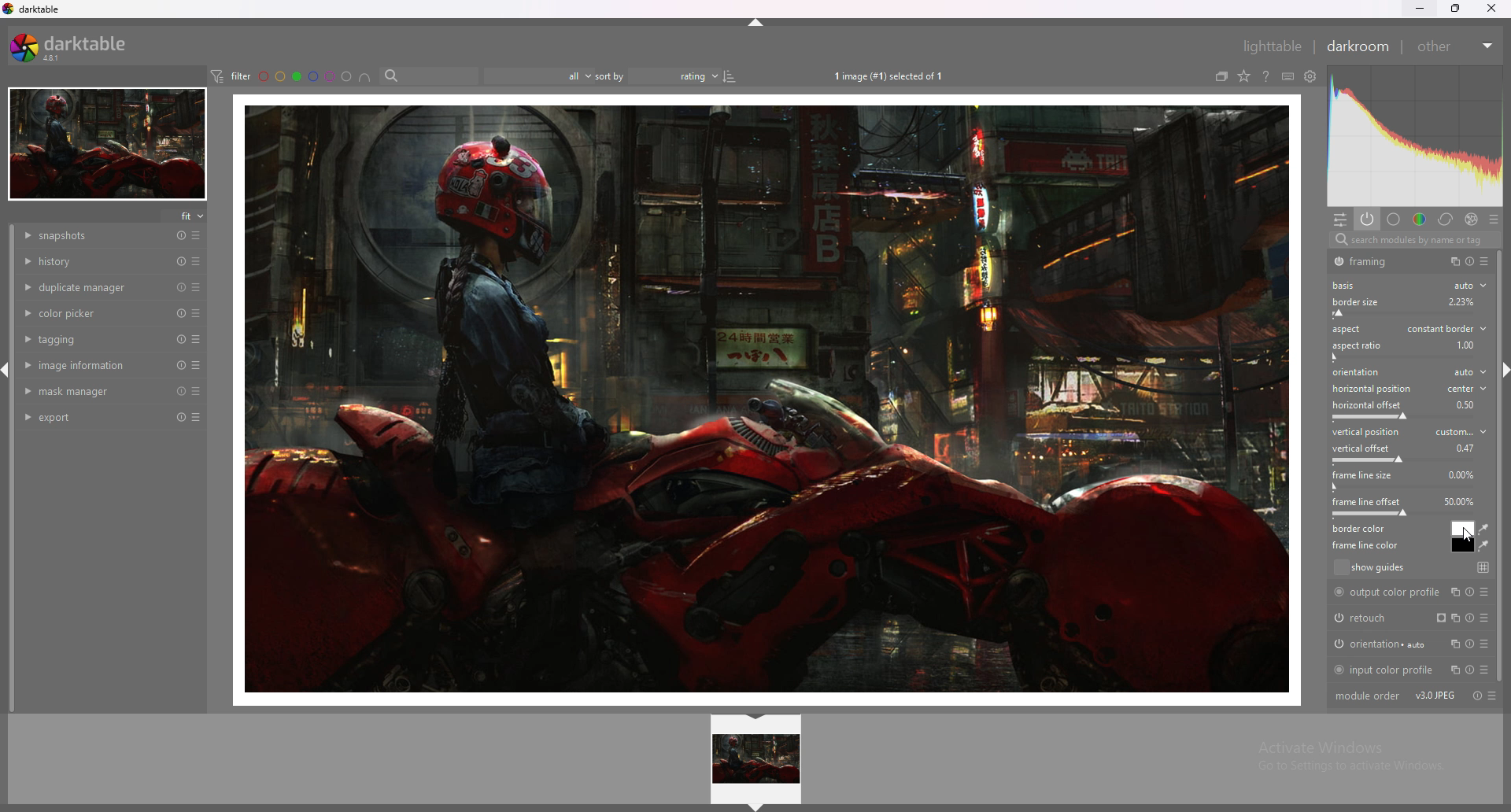 The height and width of the screenshot is (812, 1511). Describe the element at coordinates (608, 76) in the screenshot. I see `sort by` at that location.